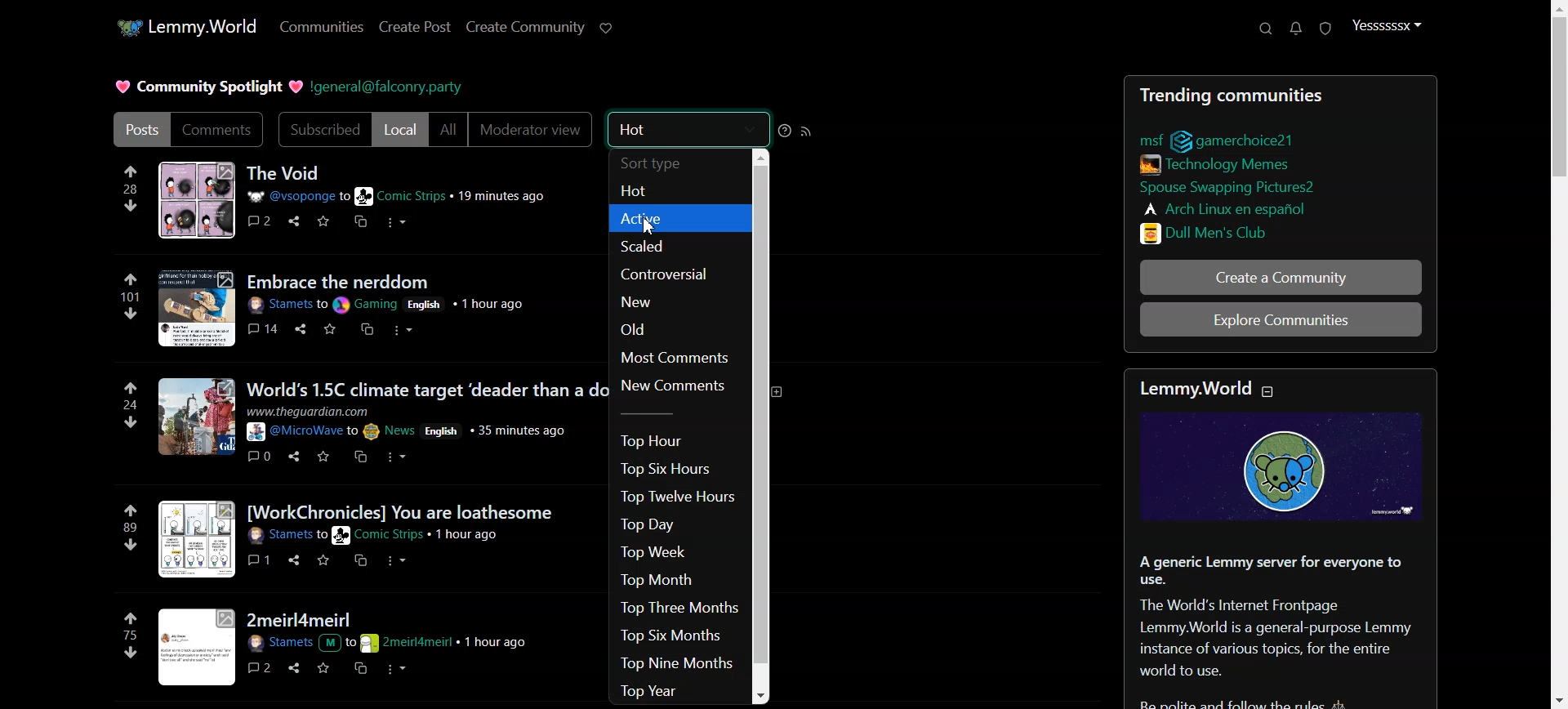 The height and width of the screenshot is (709, 1568). I want to click on Scroll bar, so click(1553, 354).